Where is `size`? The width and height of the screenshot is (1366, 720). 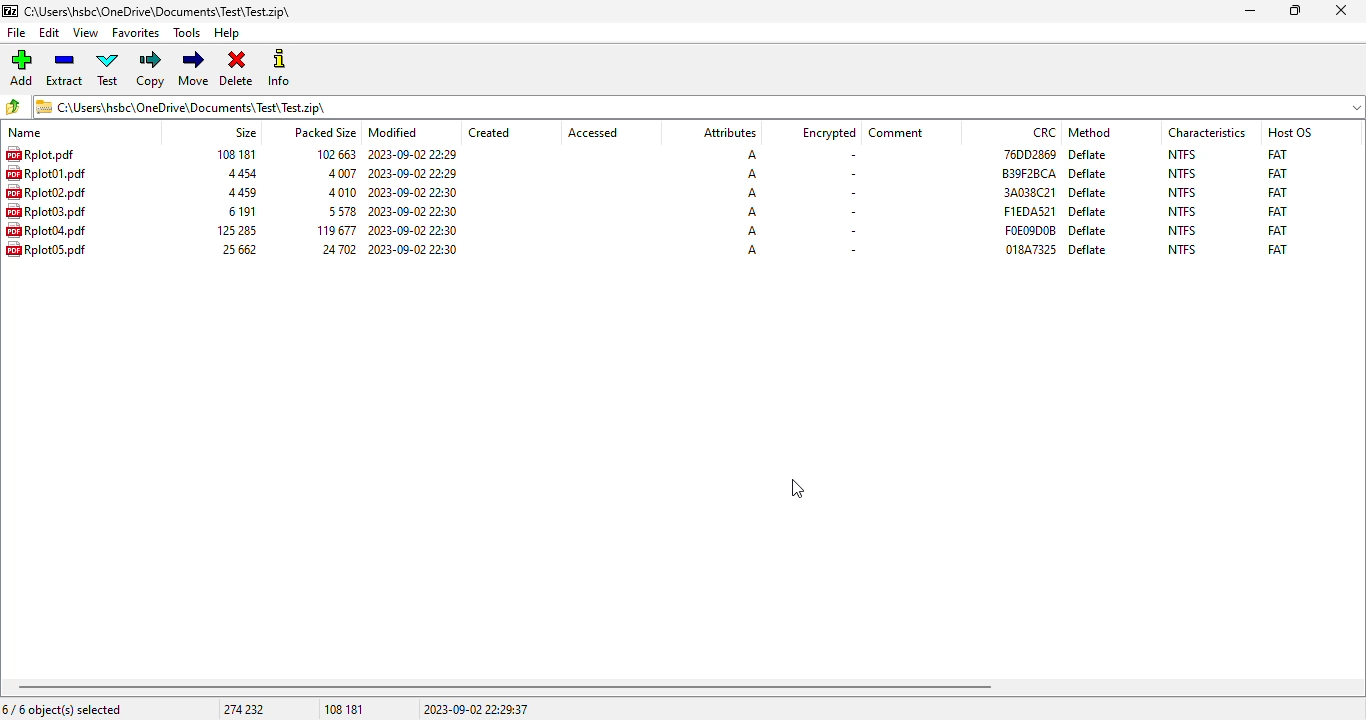 size is located at coordinates (240, 193).